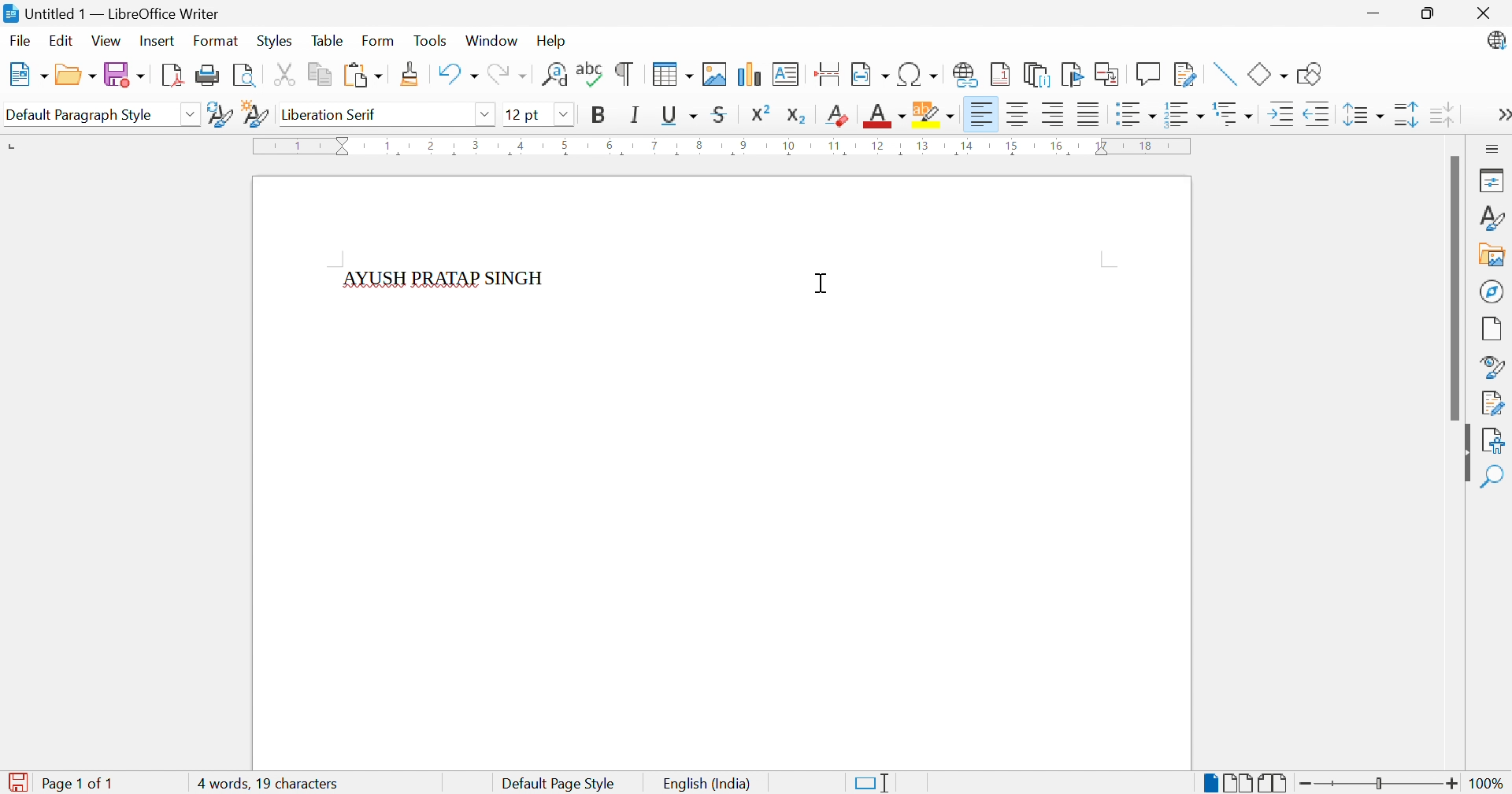 The width and height of the screenshot is (1512, 794). What do you see at coordinates (215, 40) in the screenshot?
I see `Format` at bounding box center [215, 40].